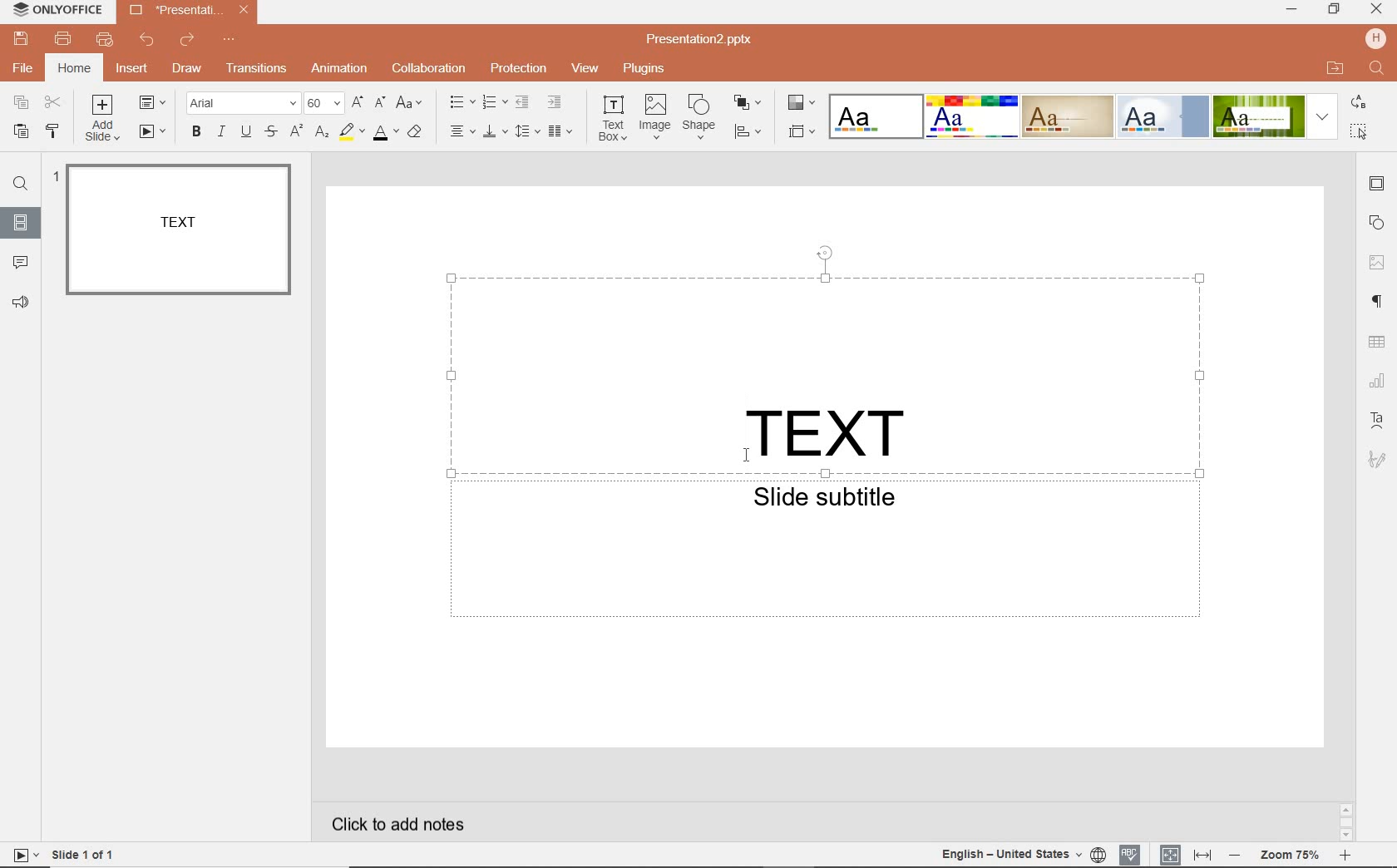 The width and height of the screenshot is (1397, 868). I want to click on CLICK TO ADD NOTES, so click(412, 824).